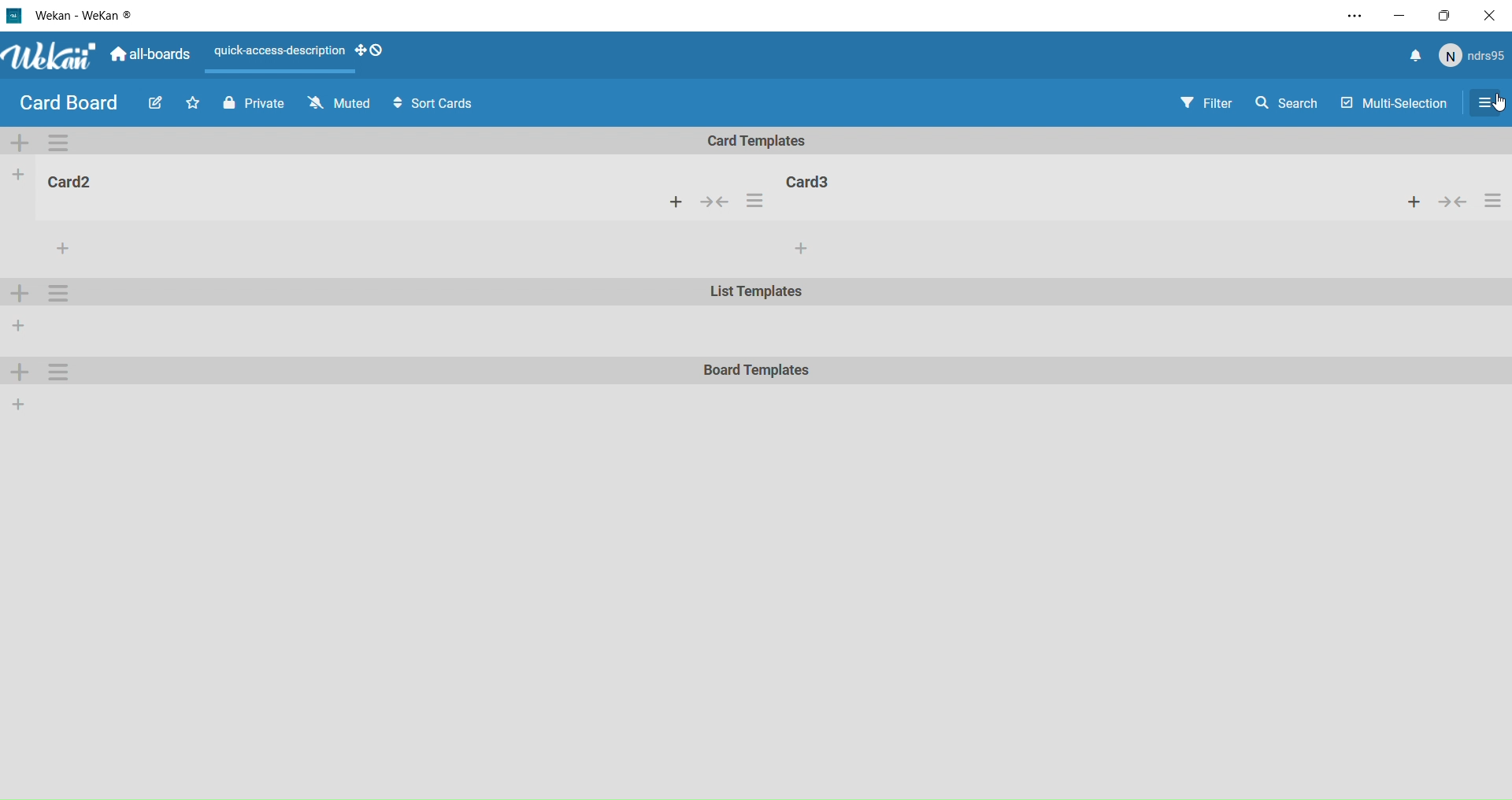  I want to click on , so click(79, 17).